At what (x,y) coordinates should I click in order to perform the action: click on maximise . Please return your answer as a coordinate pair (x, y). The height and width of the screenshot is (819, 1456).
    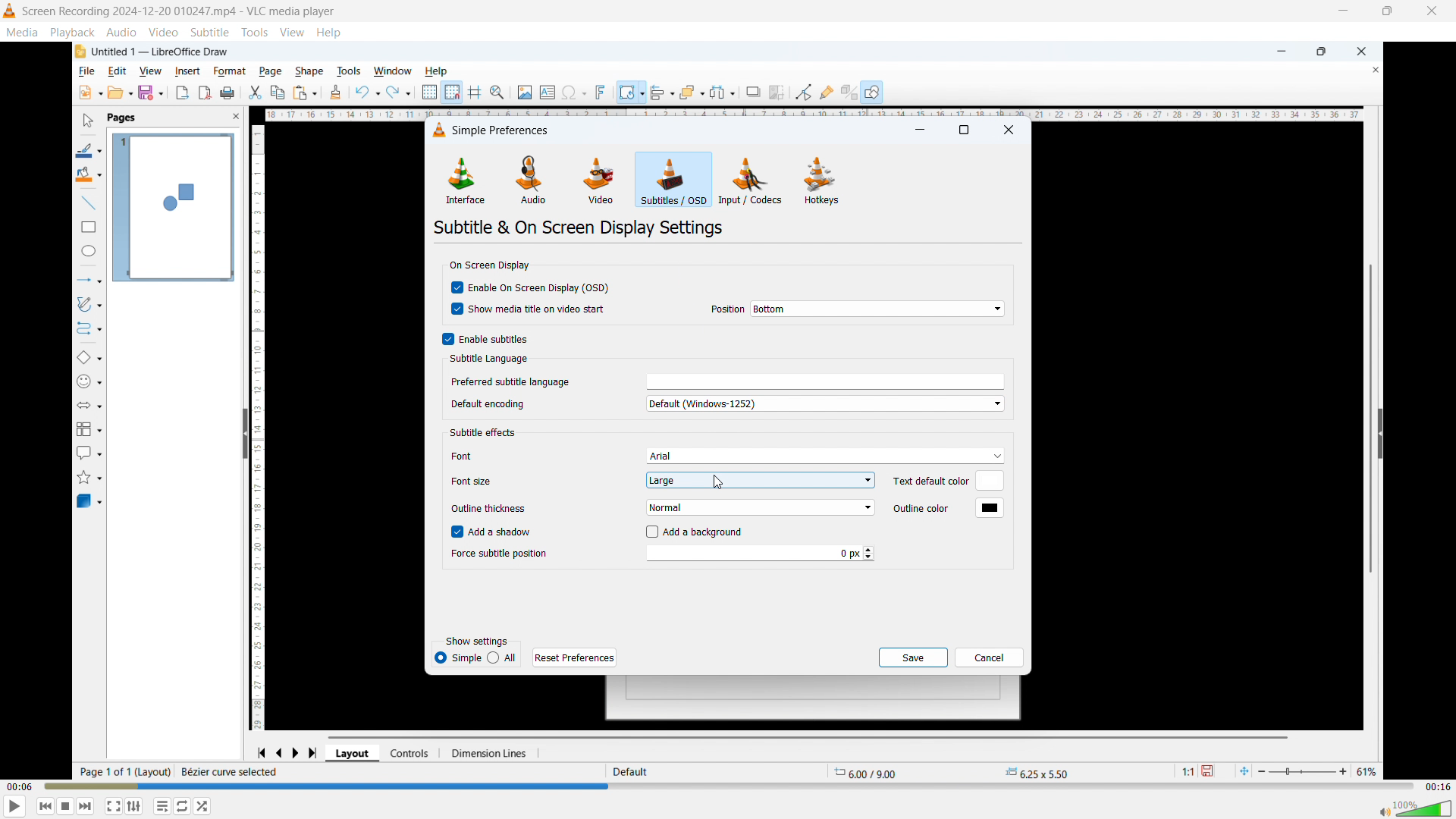
    Looking at the image, I should click on (965, 130).